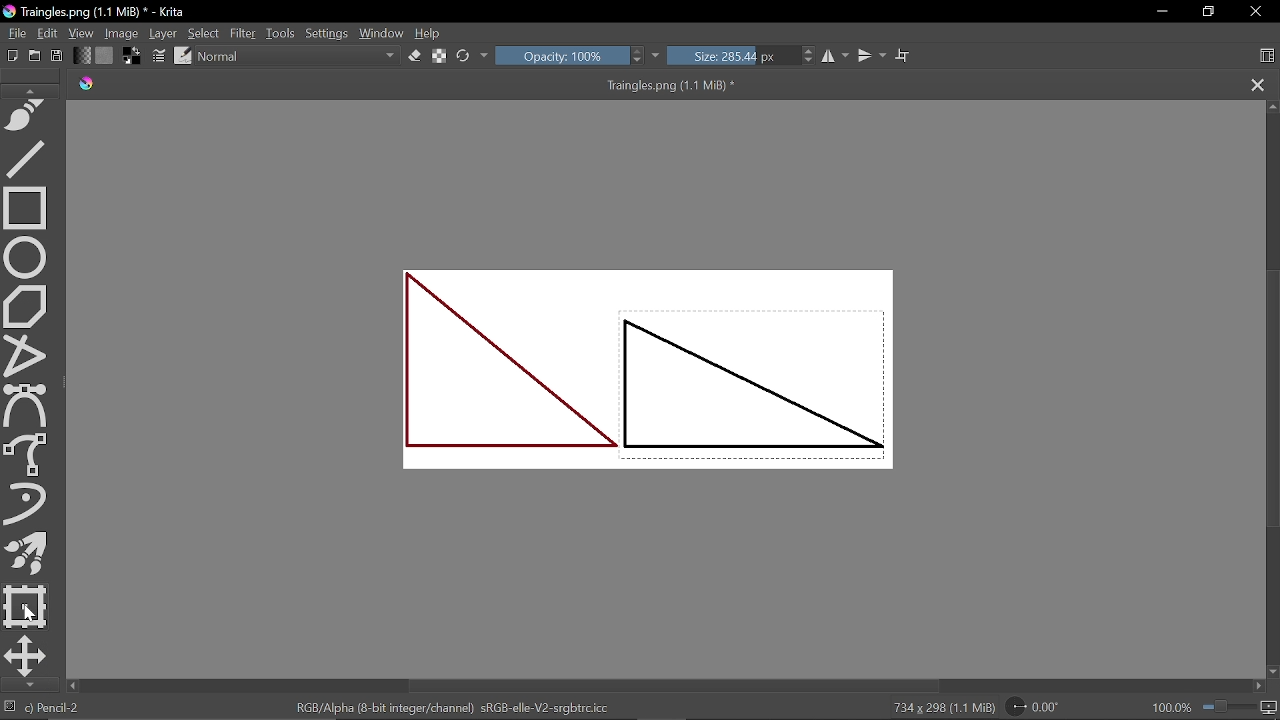 The image size is (1280, 720). I want to click on Move up in tools, so click(33, 90).